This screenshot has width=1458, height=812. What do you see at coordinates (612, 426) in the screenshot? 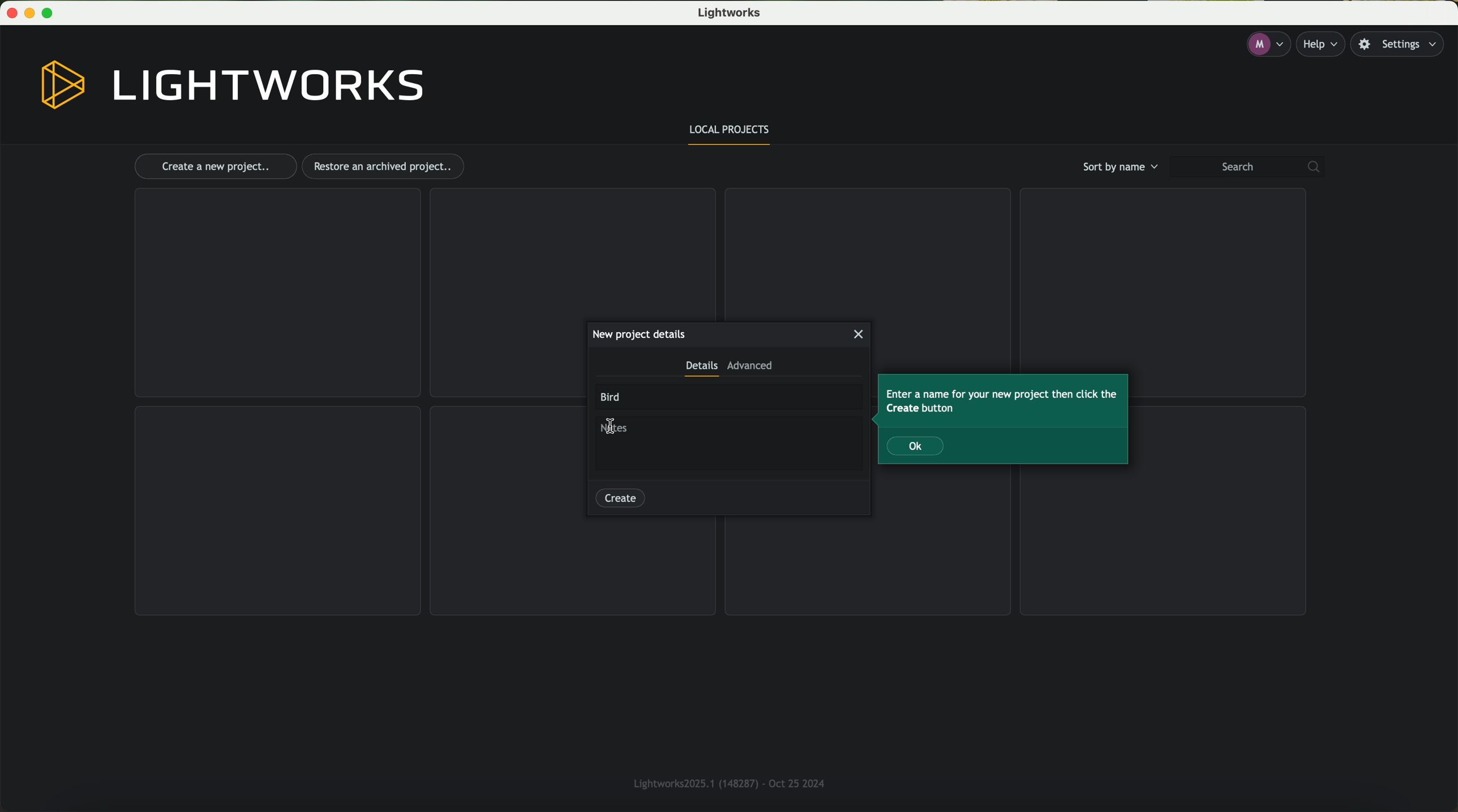
I see `Mouse Cursor` at bounding box center [612, 426].